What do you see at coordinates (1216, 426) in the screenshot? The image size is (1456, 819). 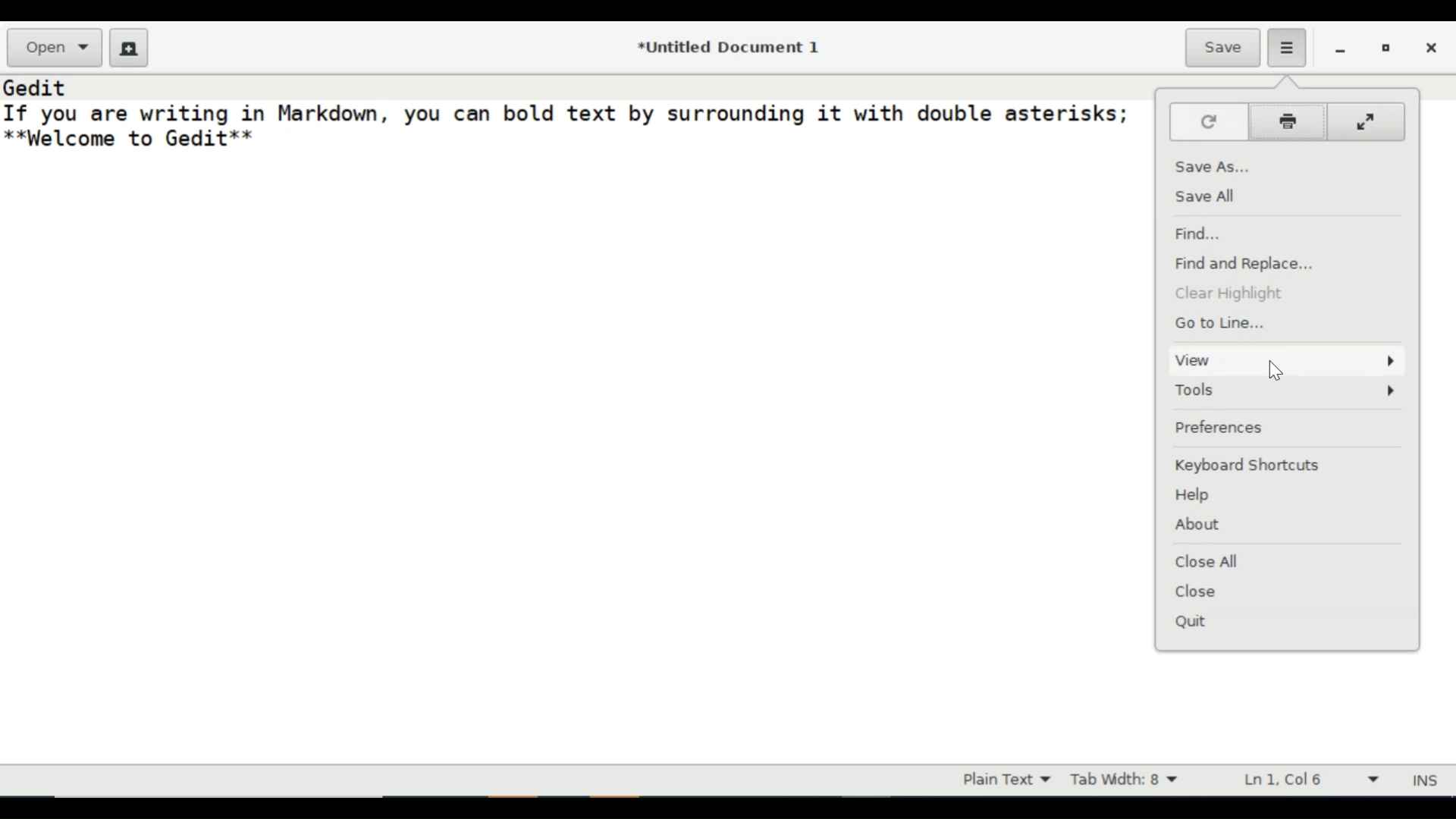 I see `Preferences` at bounding box center [1216, 426].